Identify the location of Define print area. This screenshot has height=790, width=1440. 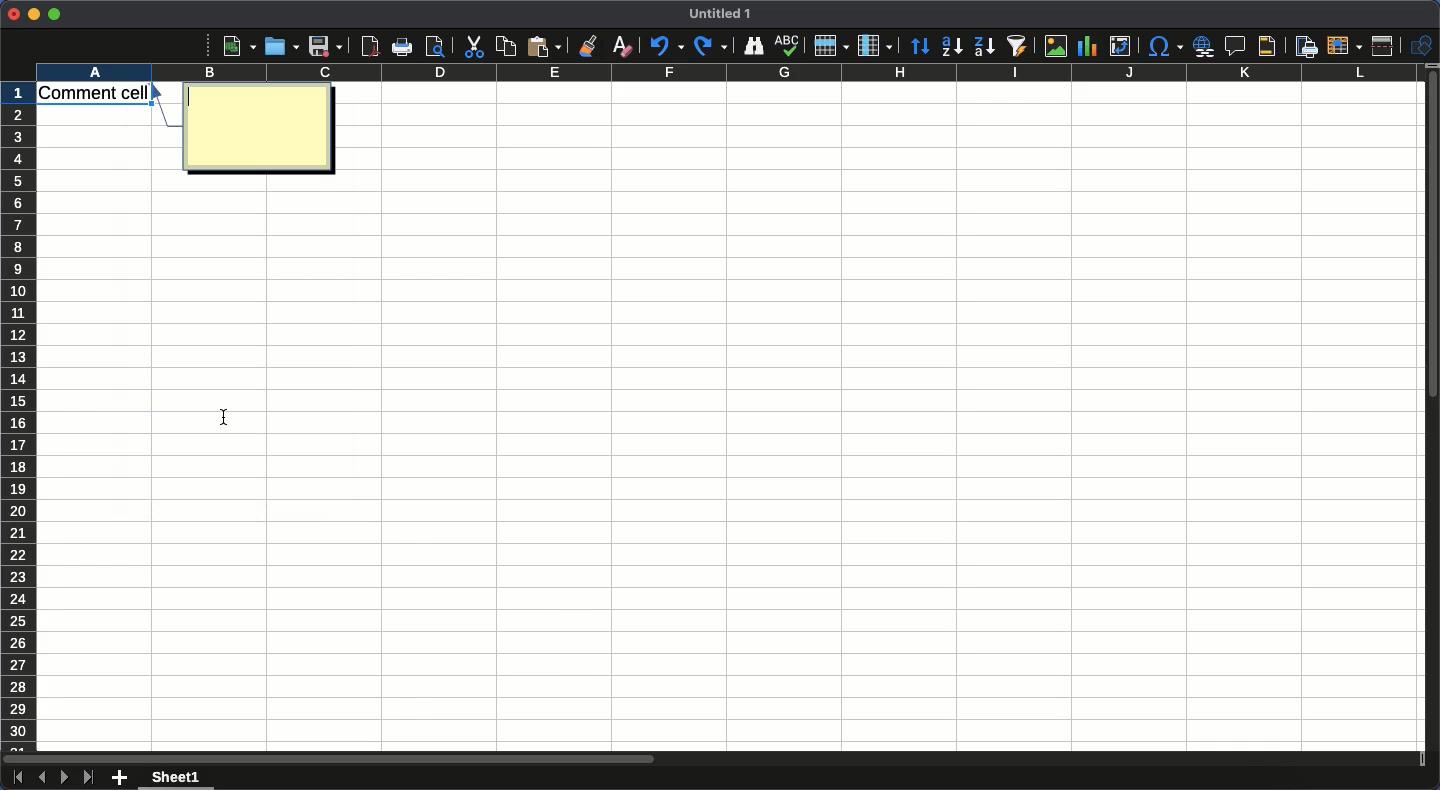
(1306, 46).